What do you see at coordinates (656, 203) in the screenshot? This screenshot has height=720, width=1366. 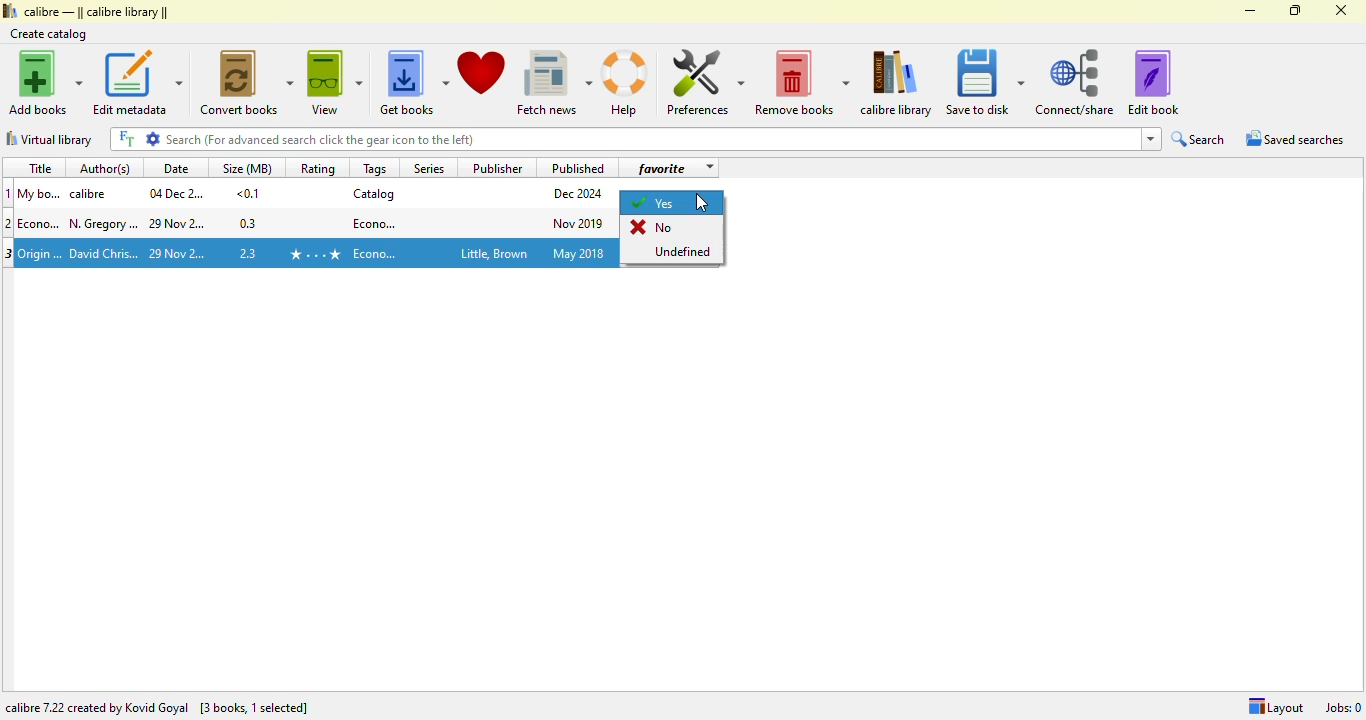 I see `yes` at bounding box center [656, 203].